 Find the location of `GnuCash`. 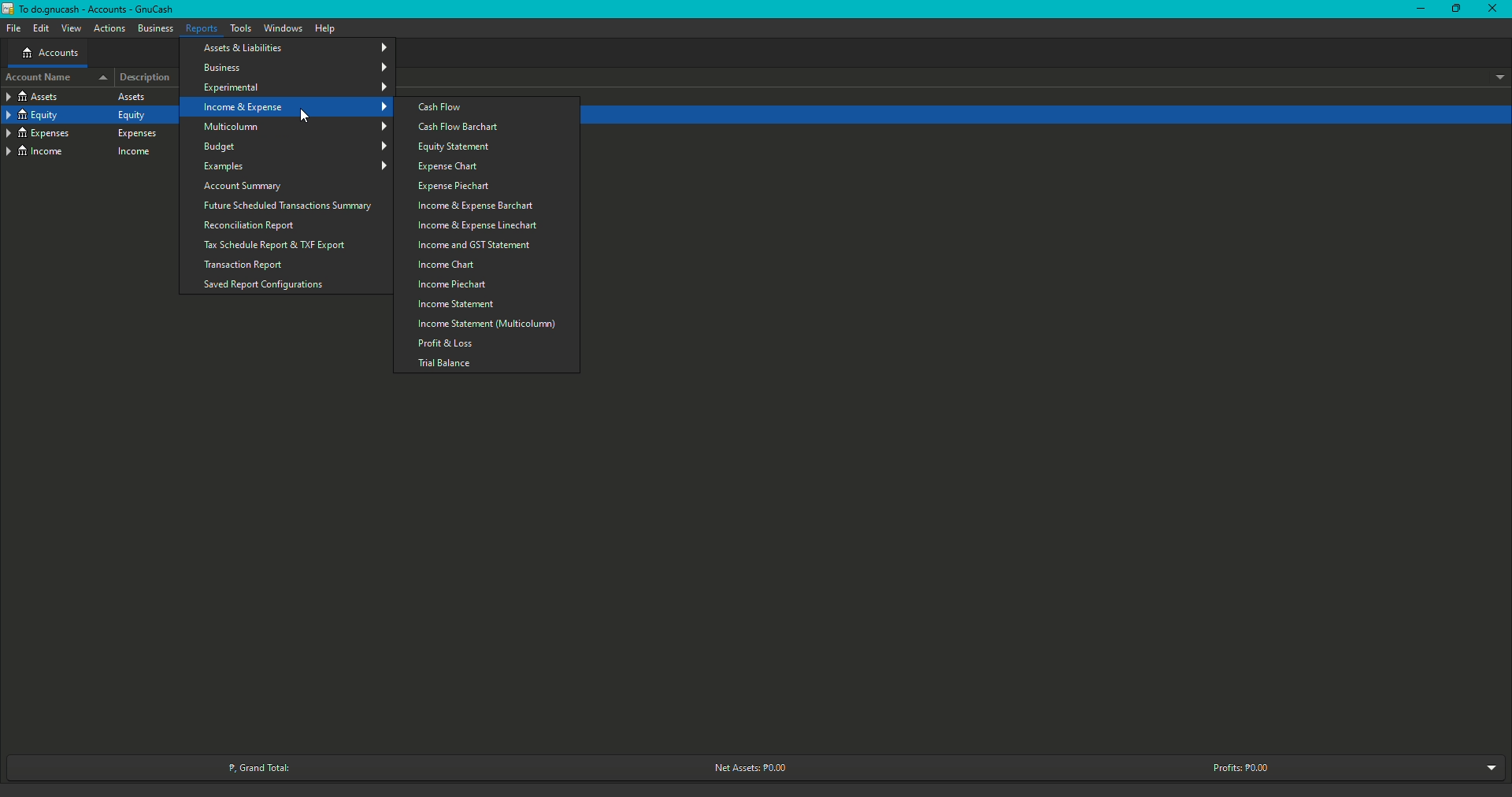

GnuCash is located at coordinates (91, 10).